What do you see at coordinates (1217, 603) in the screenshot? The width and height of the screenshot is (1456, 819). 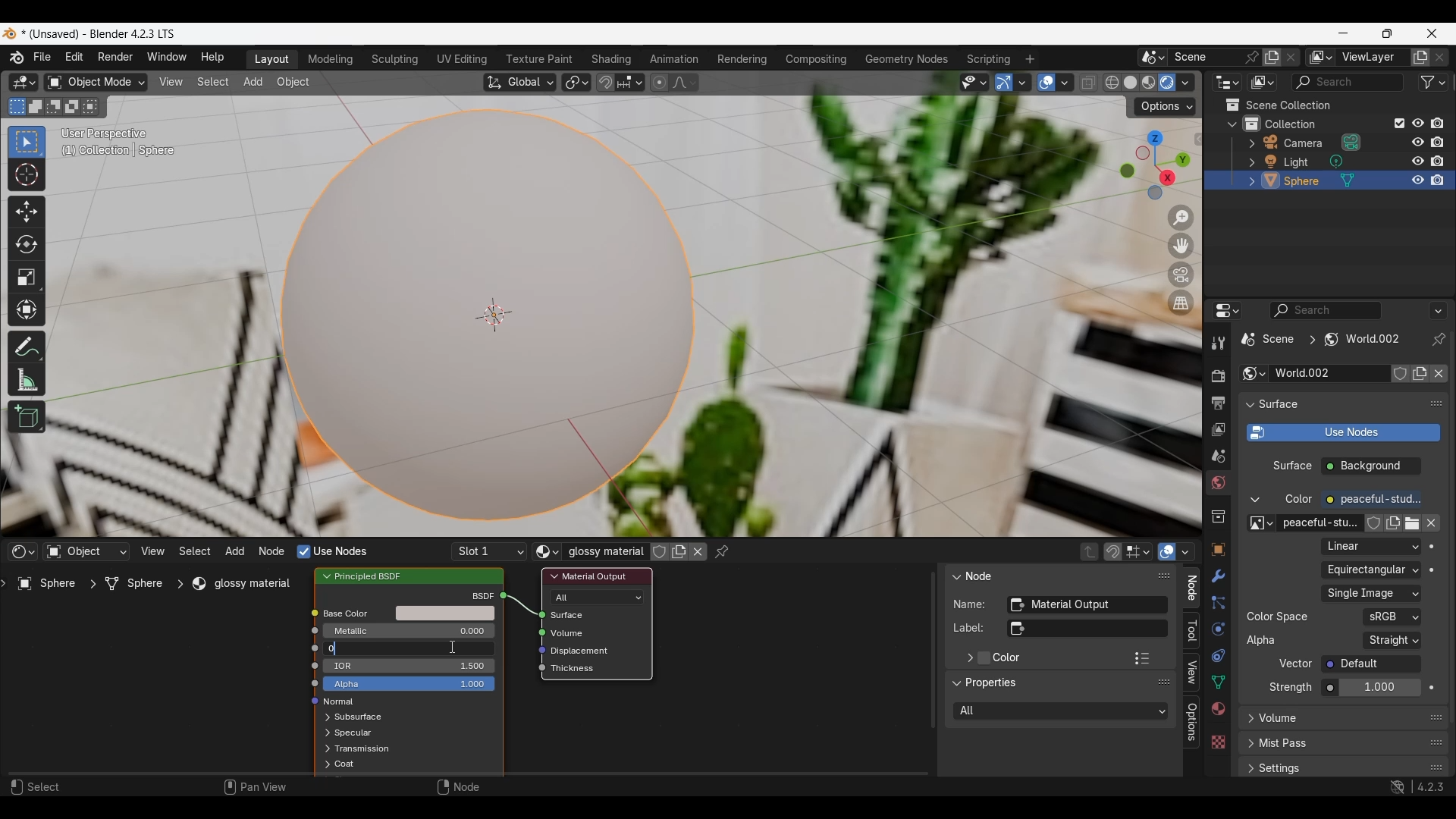 I see `Particle properties` at bounding box center [1217, 603].